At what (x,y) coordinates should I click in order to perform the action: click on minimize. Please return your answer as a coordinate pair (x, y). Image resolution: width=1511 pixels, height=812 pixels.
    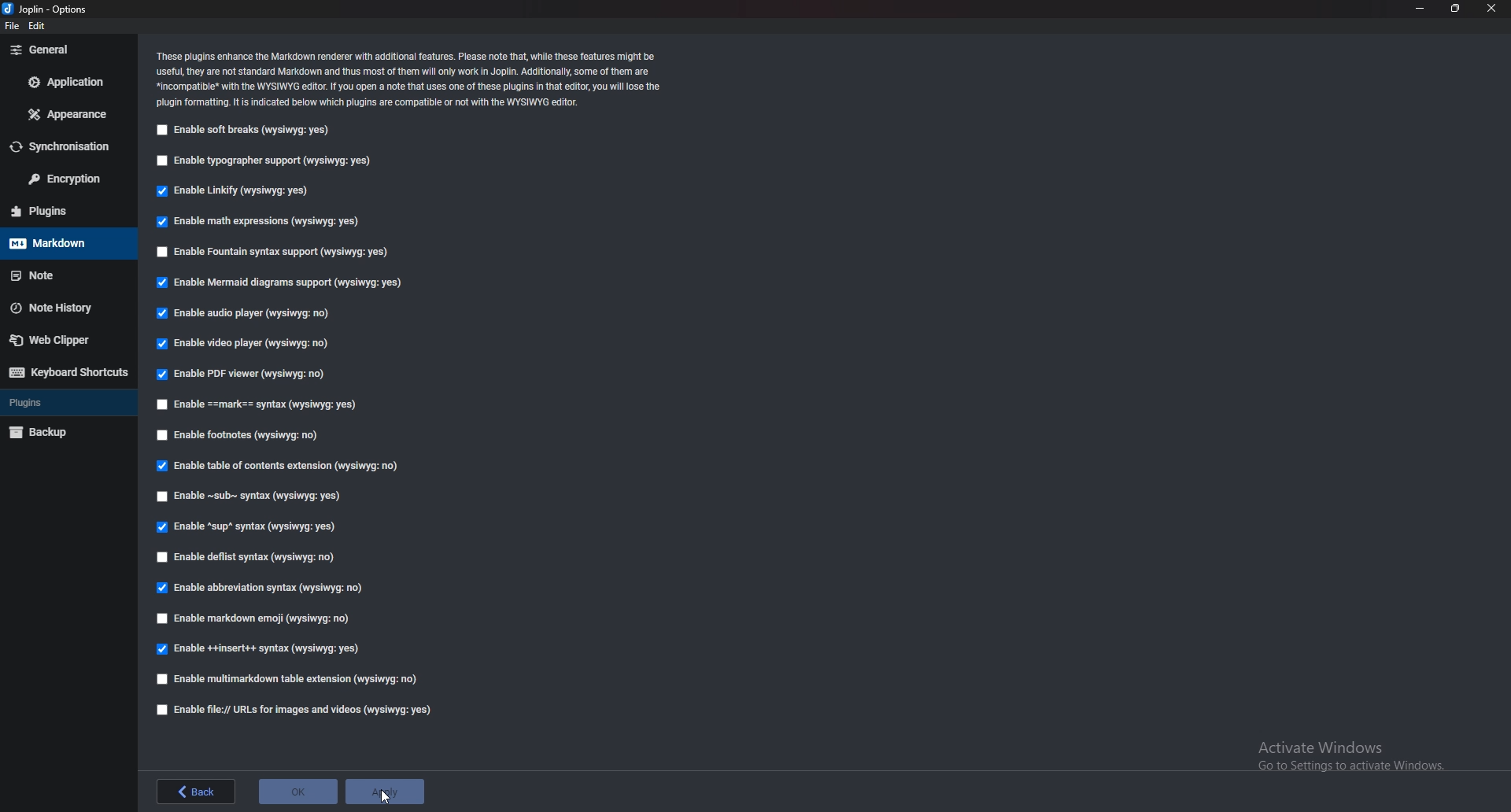
    Looking at the image, I should click on (1421, 9).